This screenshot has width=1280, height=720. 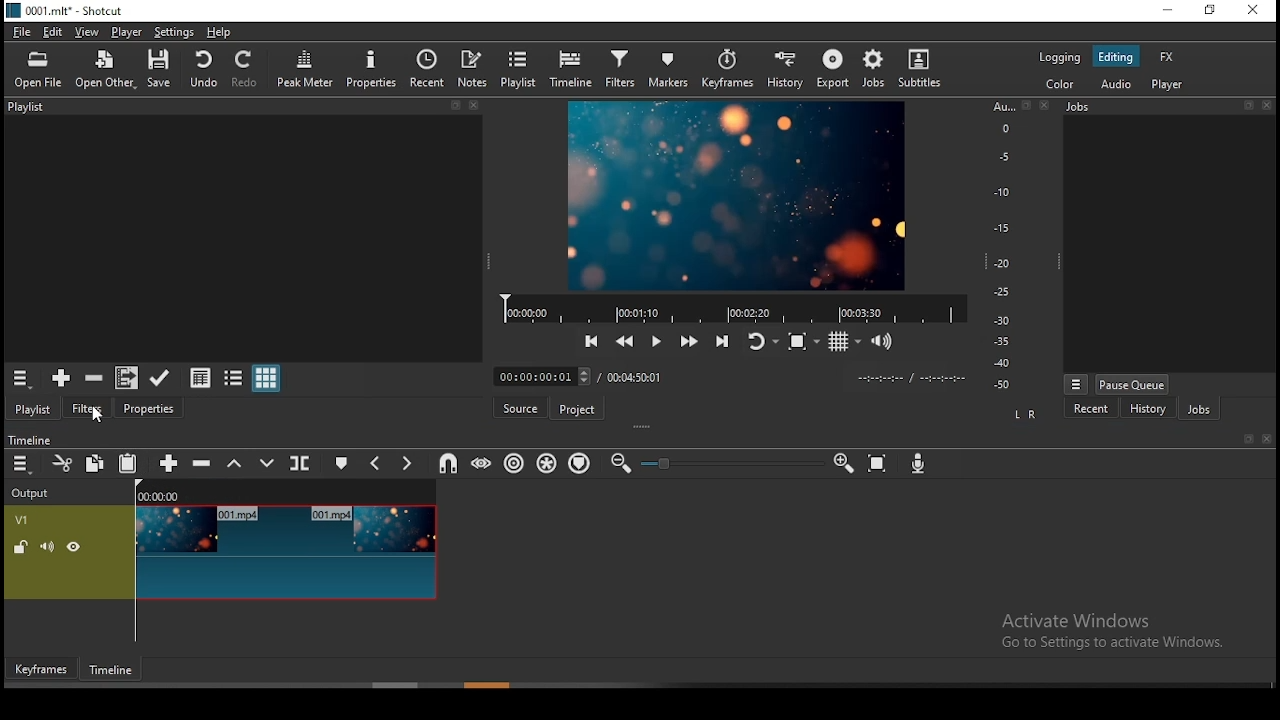 What do you see at coordinates (165, 72) in the screenshot?
I see `save` at bounding box center [165, 72].